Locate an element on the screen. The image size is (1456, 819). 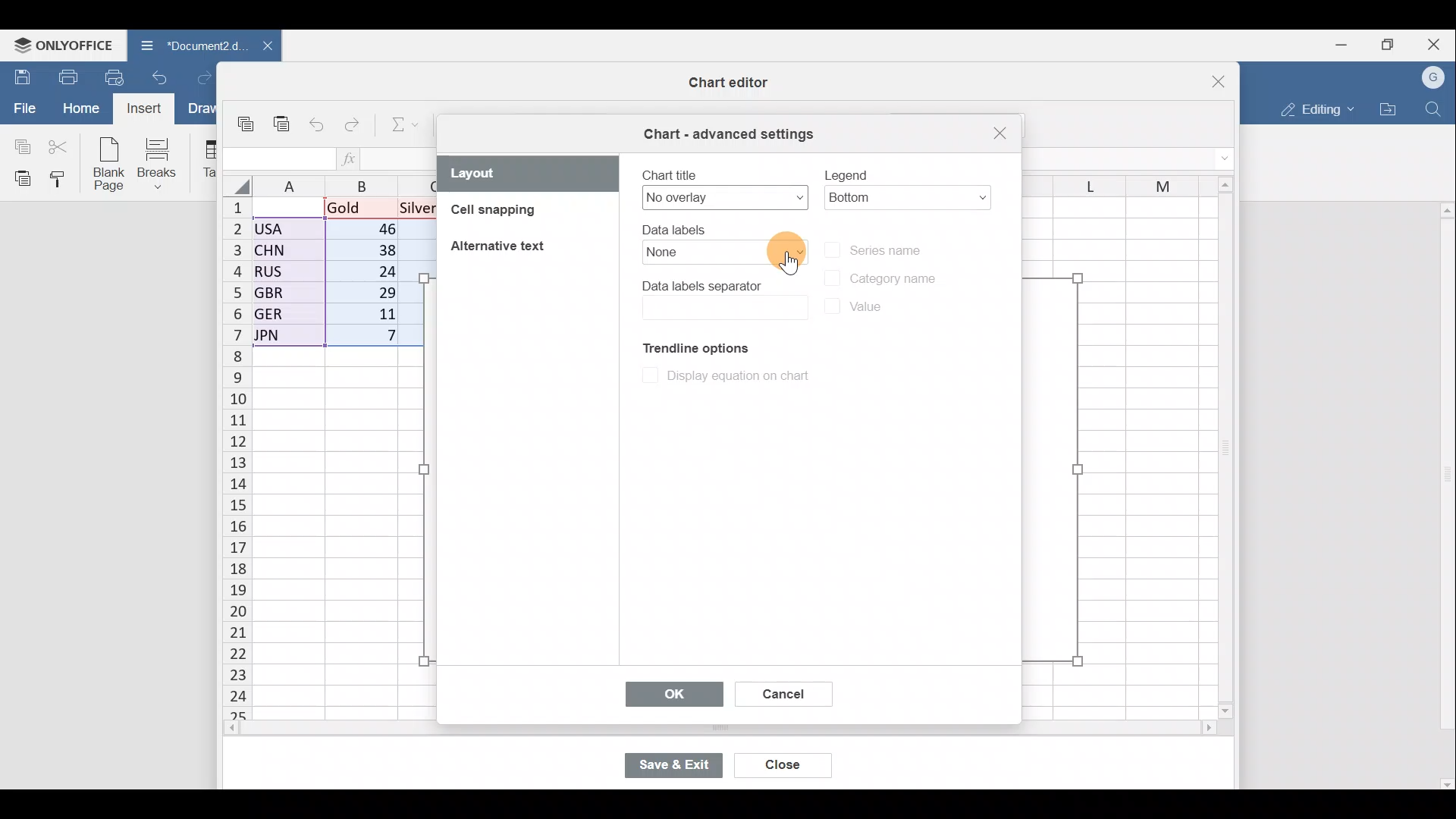
Minimize is located at coordinates (1347, 43).